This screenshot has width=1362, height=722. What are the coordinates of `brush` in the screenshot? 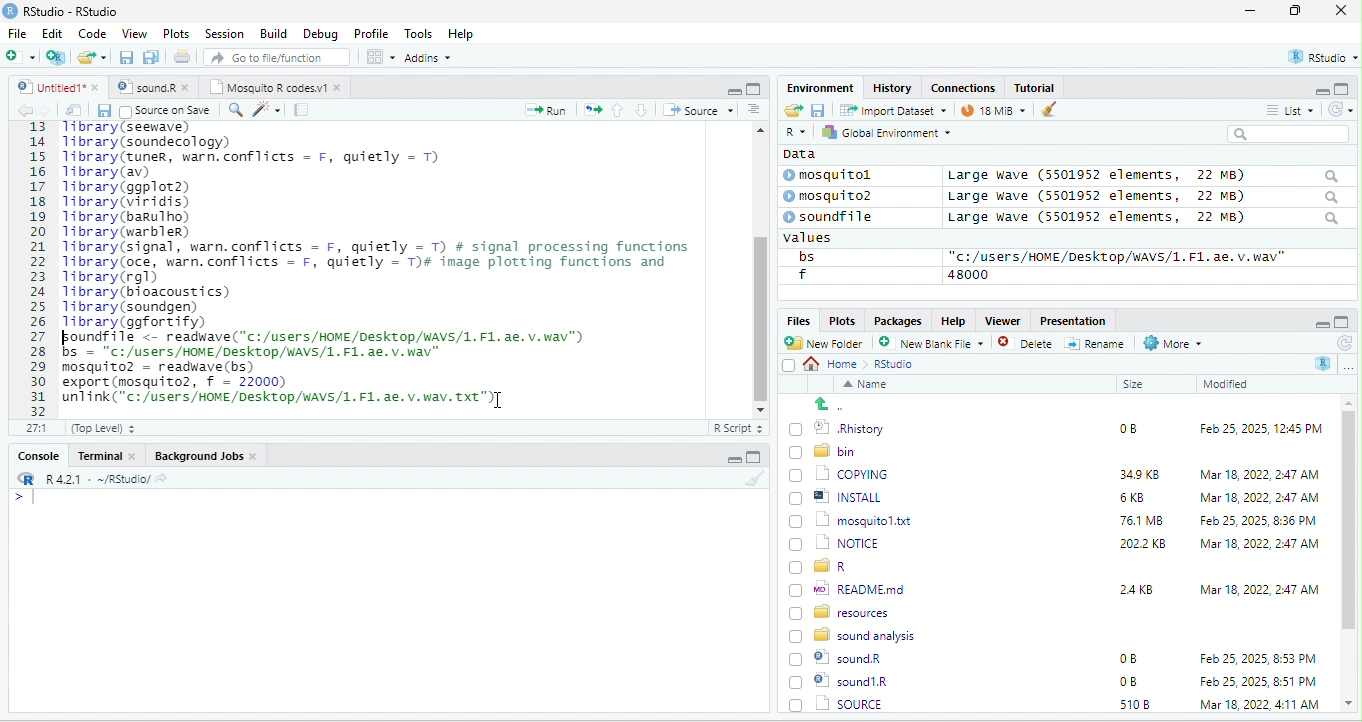 It's located at (757, 479).